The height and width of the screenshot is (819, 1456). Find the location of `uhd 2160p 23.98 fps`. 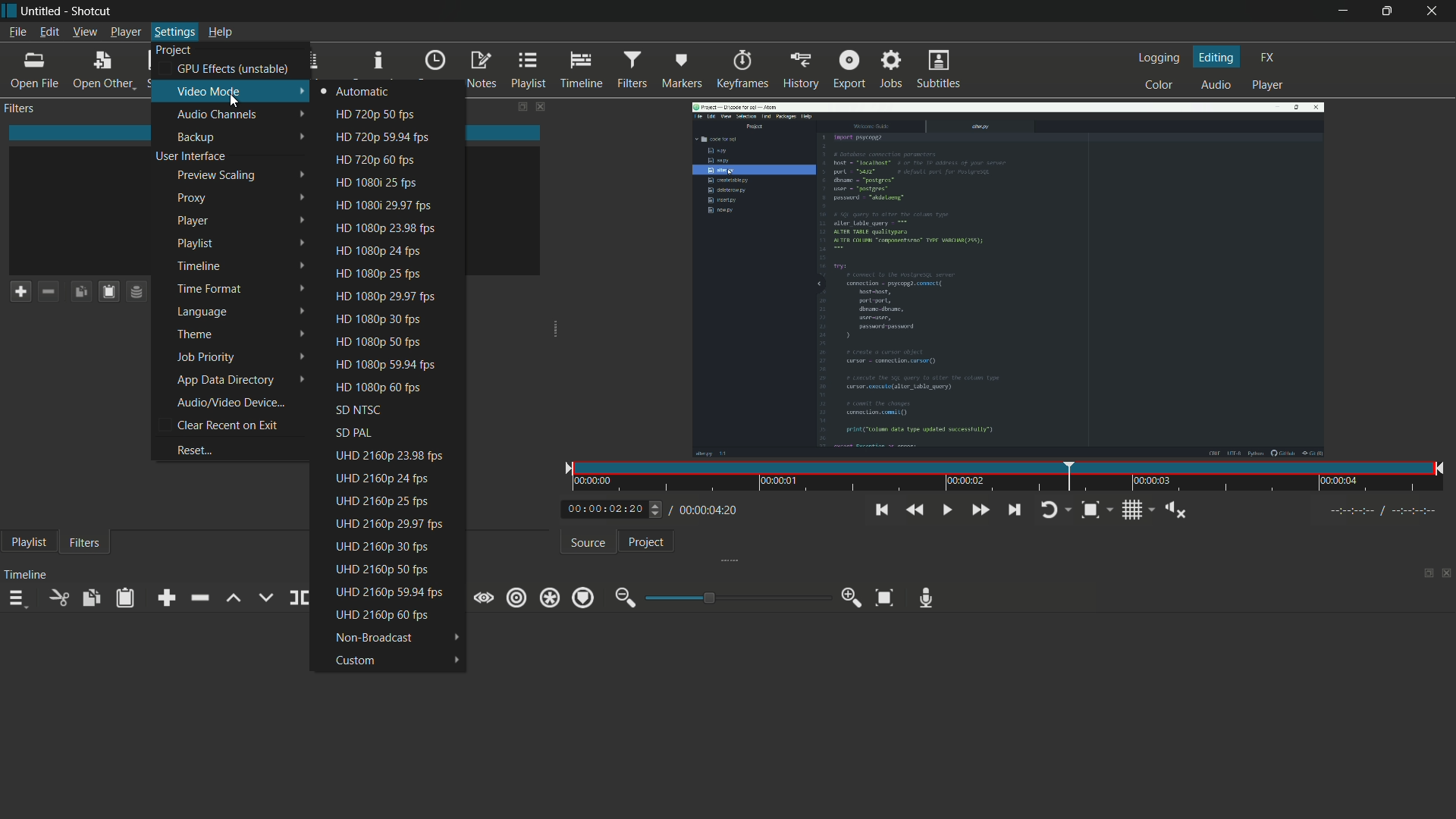

uhd 2160p 23.98 fps is located at coordinates (390, 455).